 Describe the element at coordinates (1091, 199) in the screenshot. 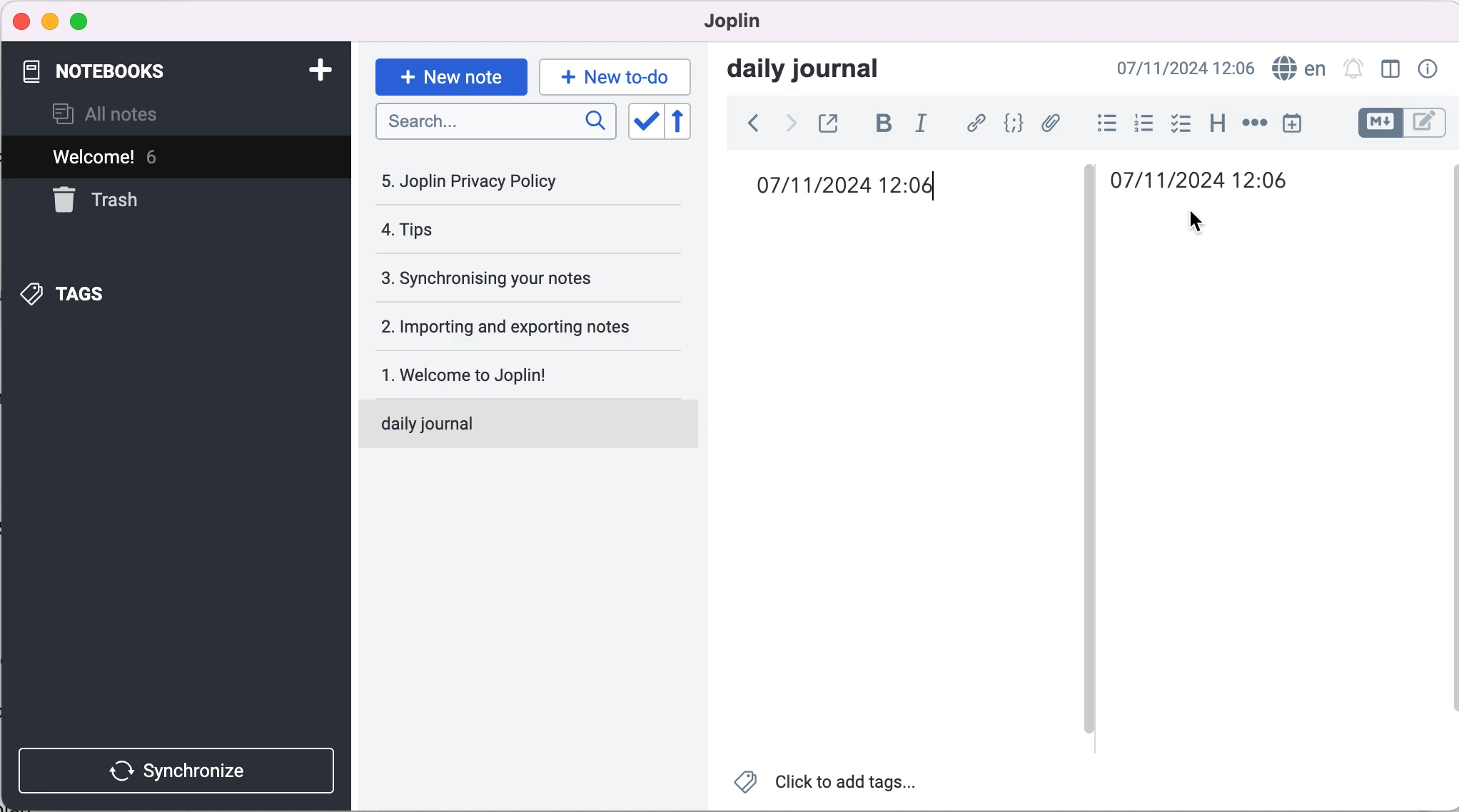

I see `vertical slider` at that location.